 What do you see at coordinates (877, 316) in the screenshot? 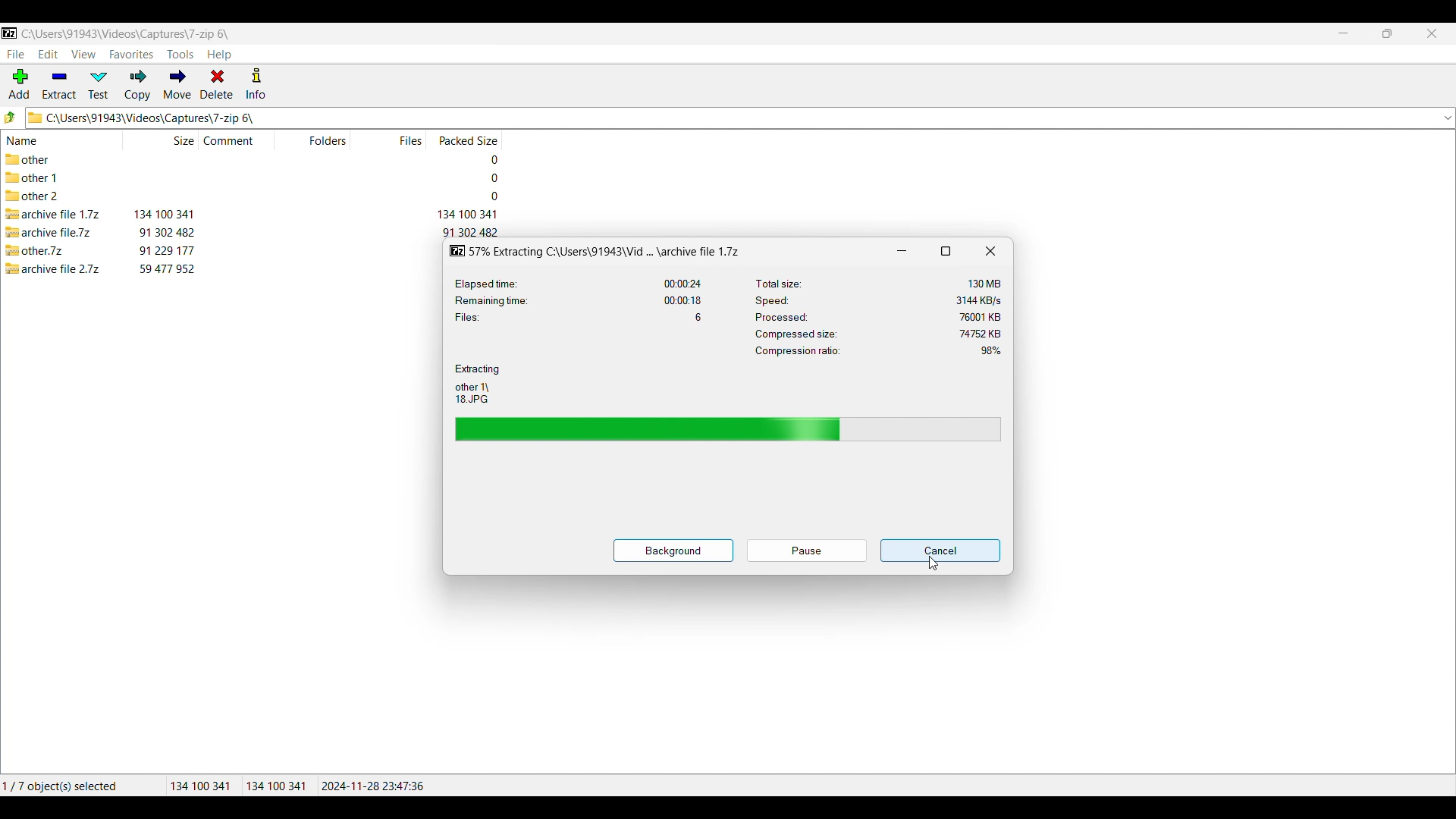
I see `Processed: 76001 KB` at bounding box center [877, 316].